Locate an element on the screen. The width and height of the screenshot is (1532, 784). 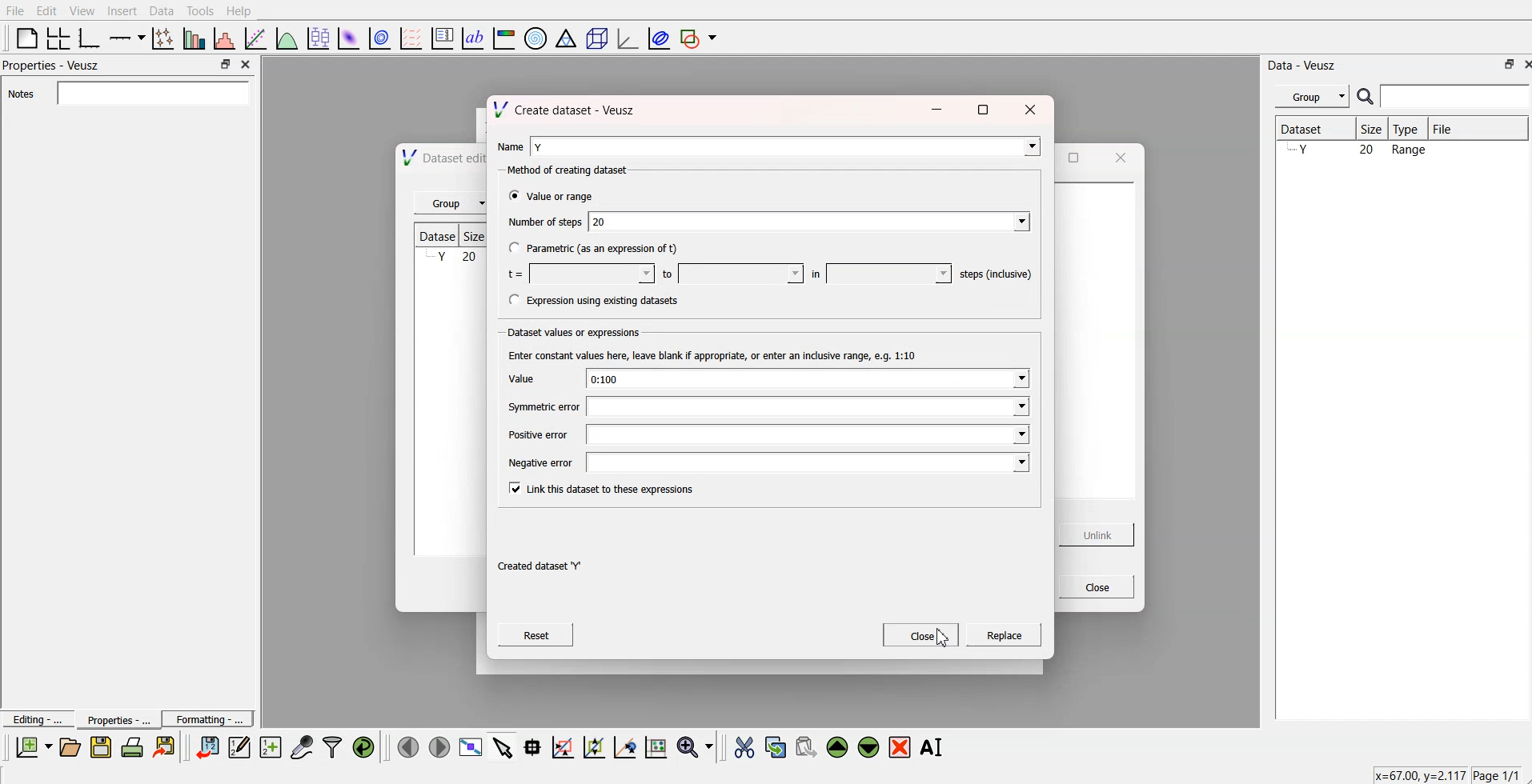
3D graph is located at coordinates (626, 38).